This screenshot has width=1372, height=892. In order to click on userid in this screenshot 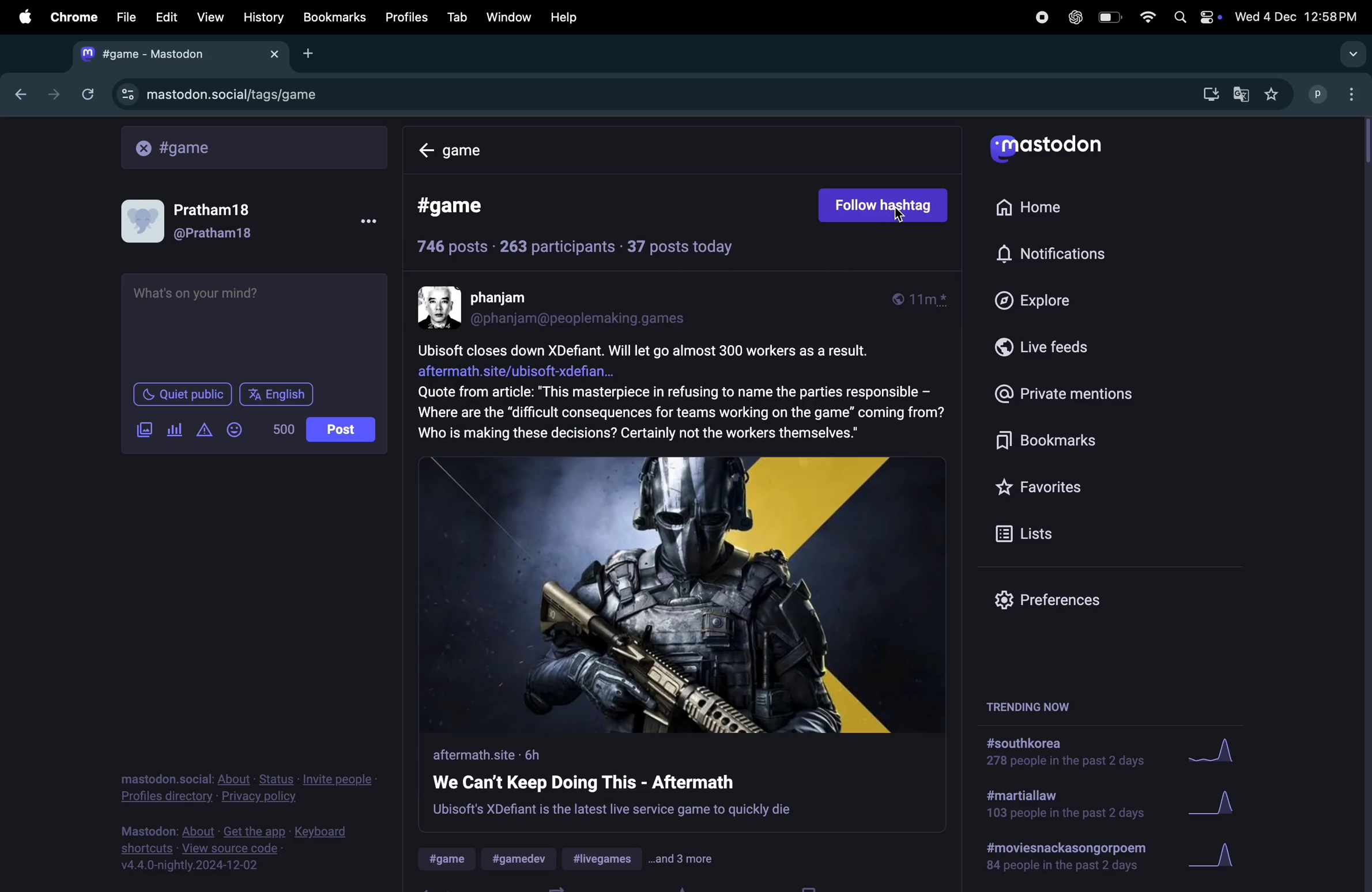, I will do `click(587, 319)`.